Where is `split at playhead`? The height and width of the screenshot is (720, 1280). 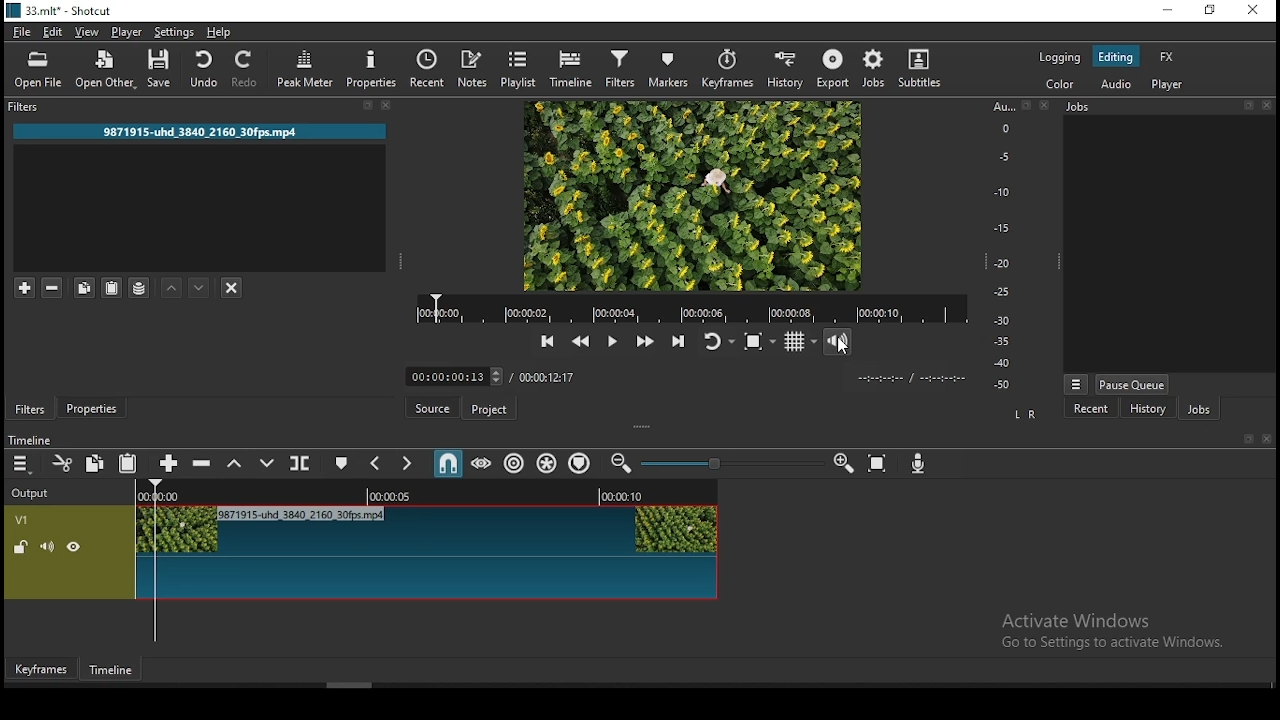
split at playhead is located at coordinates (302, 463).